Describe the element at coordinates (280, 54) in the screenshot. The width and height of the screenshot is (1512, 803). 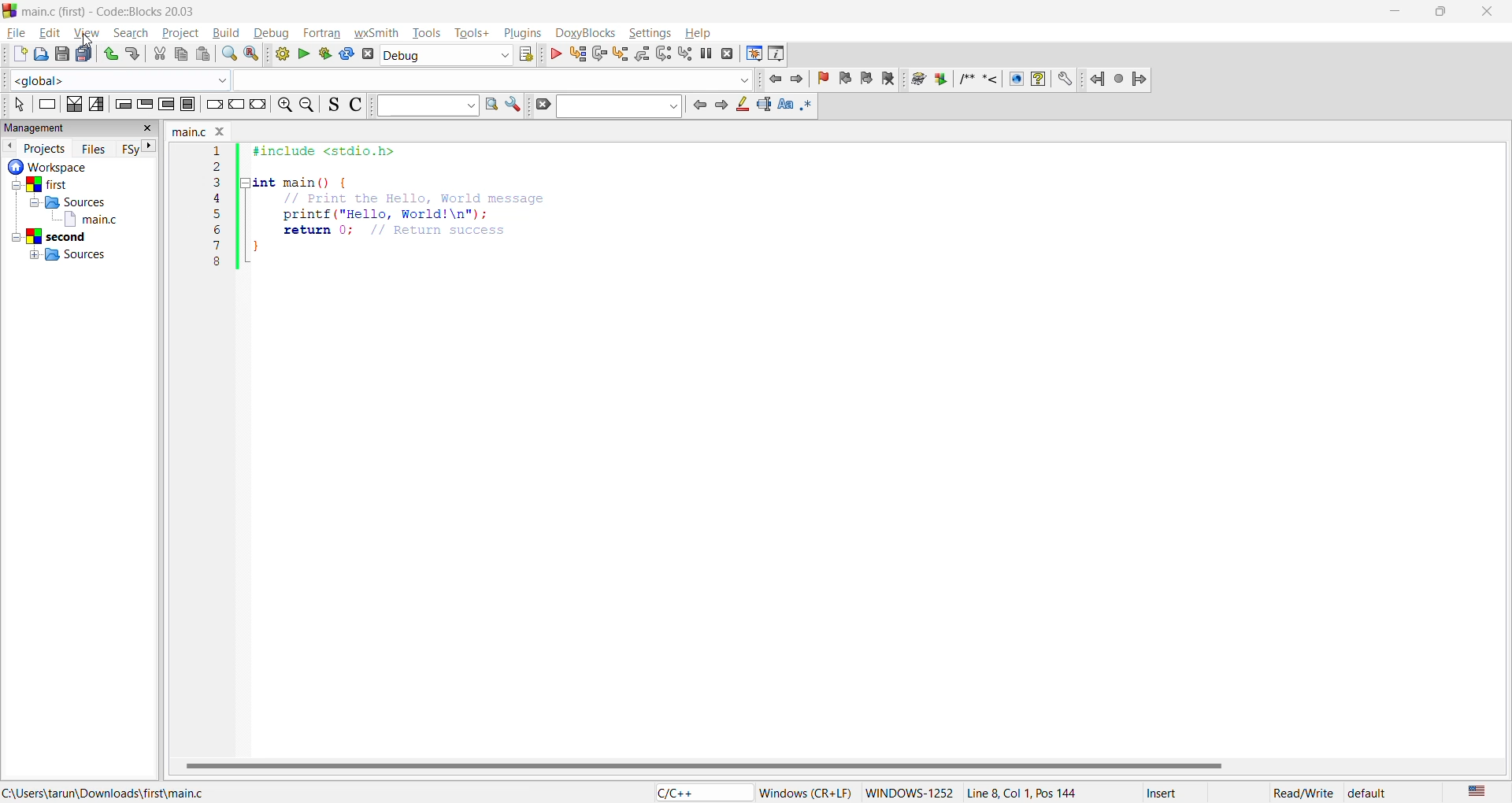
I see `build` at that location.